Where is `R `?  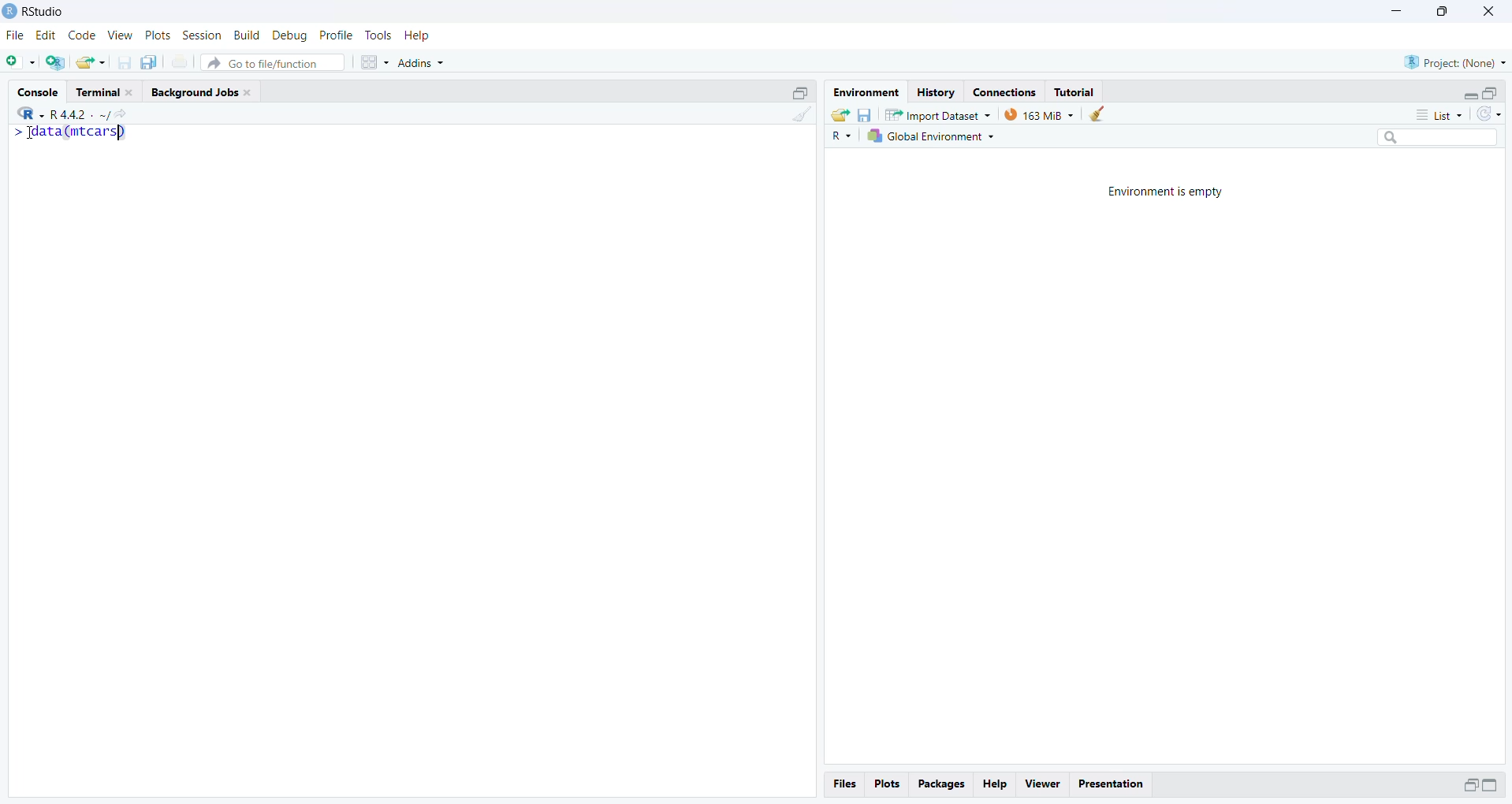
R  is located at coordinates (32, 114).